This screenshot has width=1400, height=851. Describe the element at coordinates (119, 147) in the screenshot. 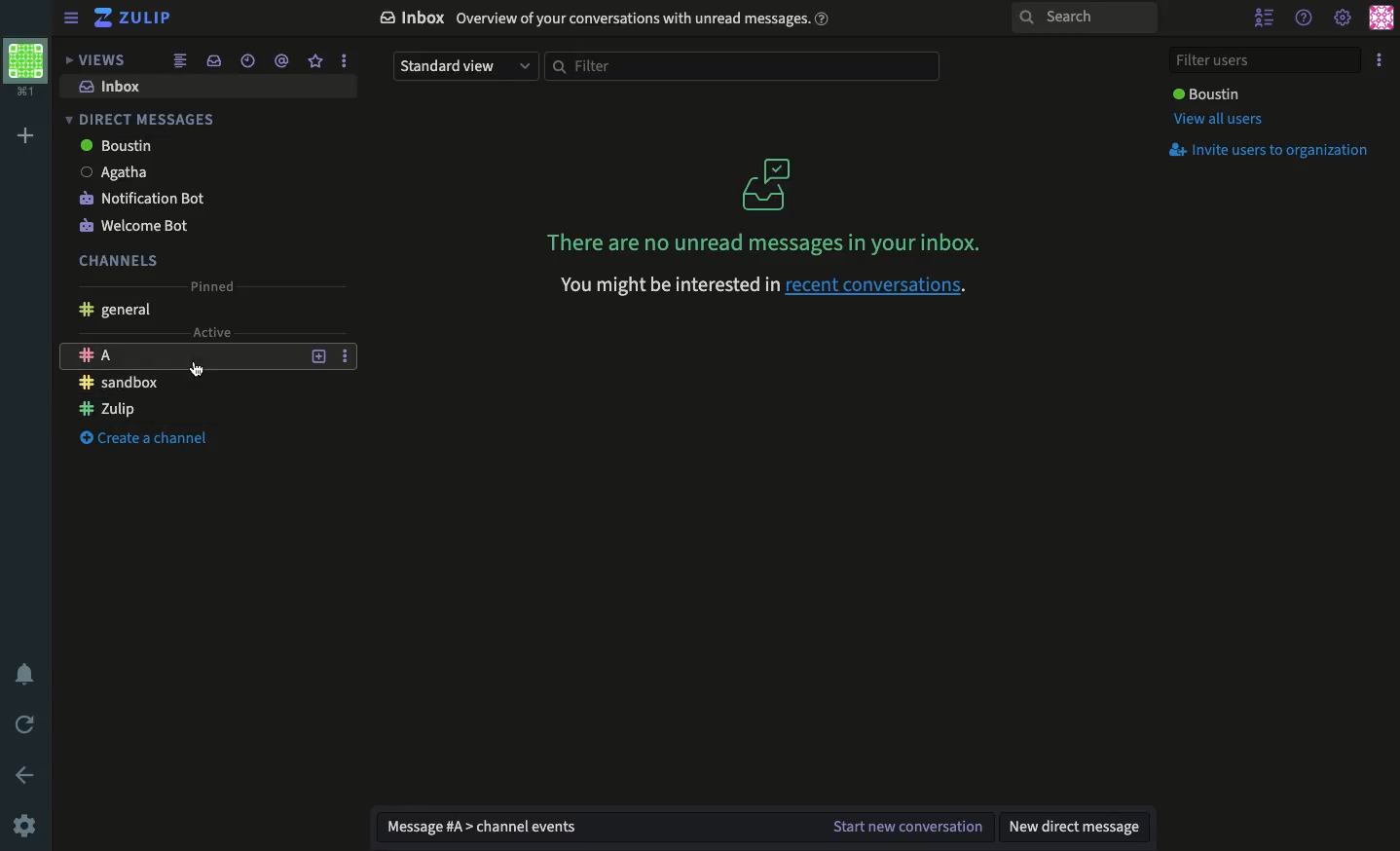

I see `boustin` at that location.